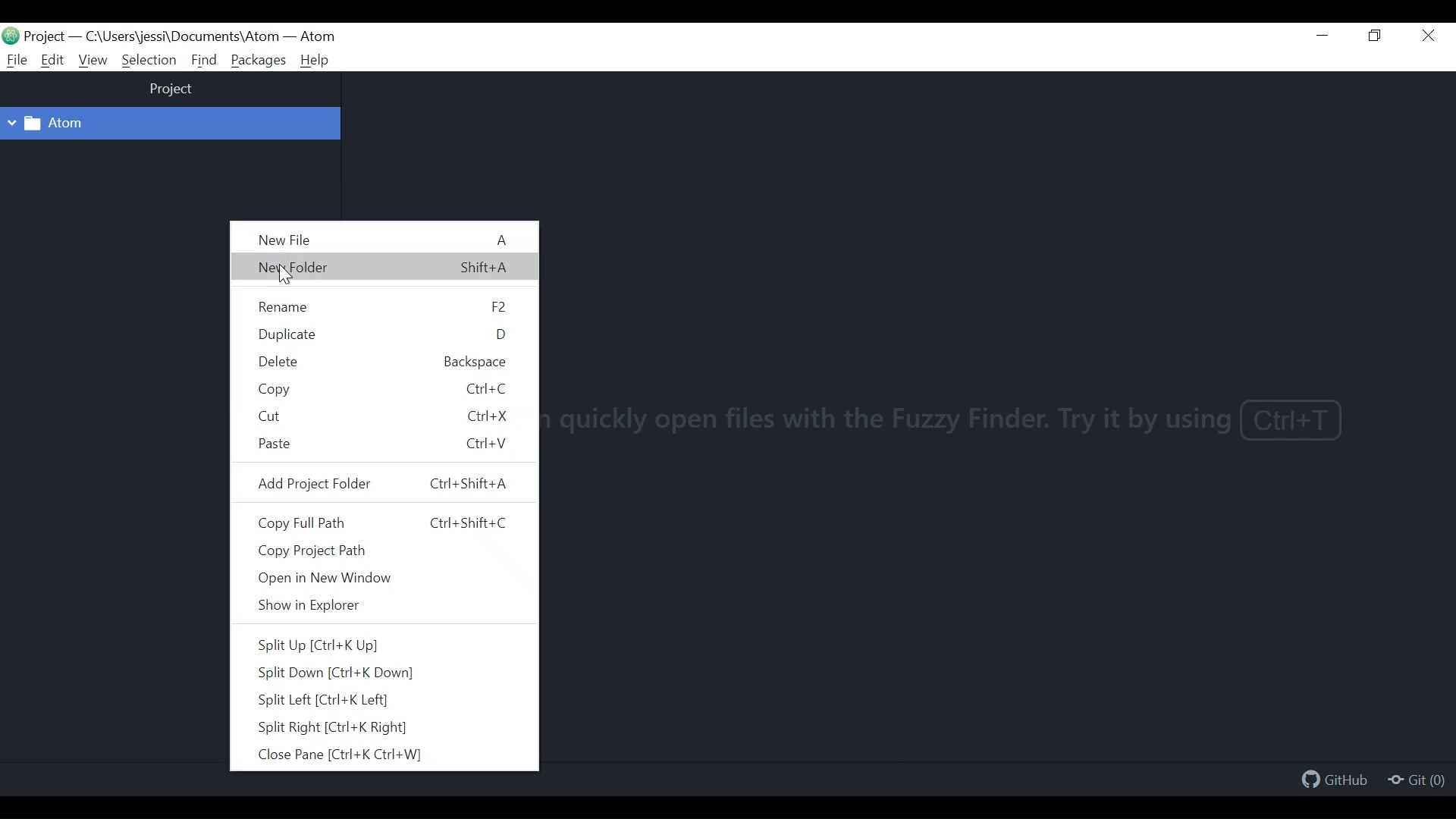  Describe the element at coordinates (276, 389) in the screenshot. I see `Copy` at that location.